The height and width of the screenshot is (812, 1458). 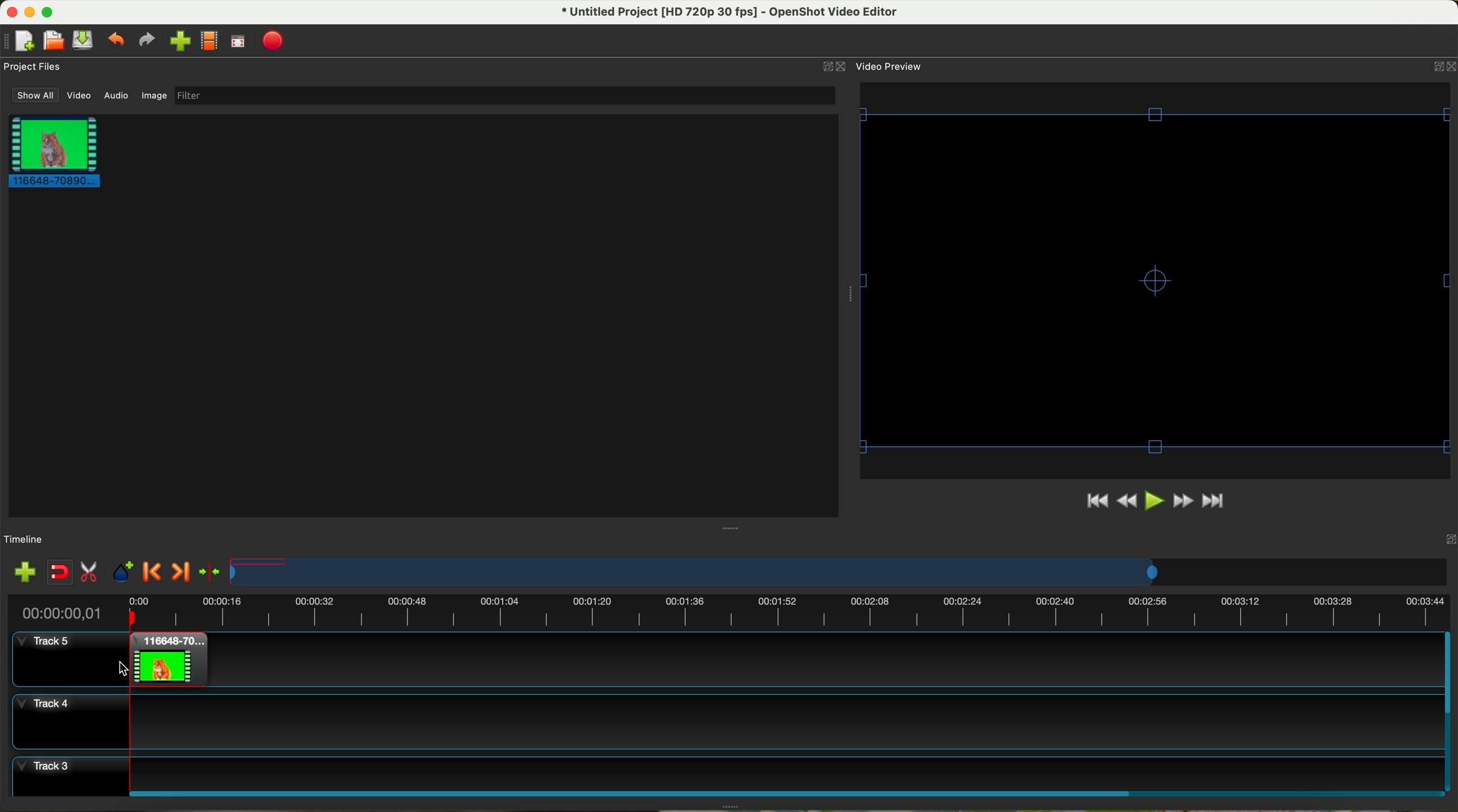 I want to click on video borders, so click(x=1158, y=280).